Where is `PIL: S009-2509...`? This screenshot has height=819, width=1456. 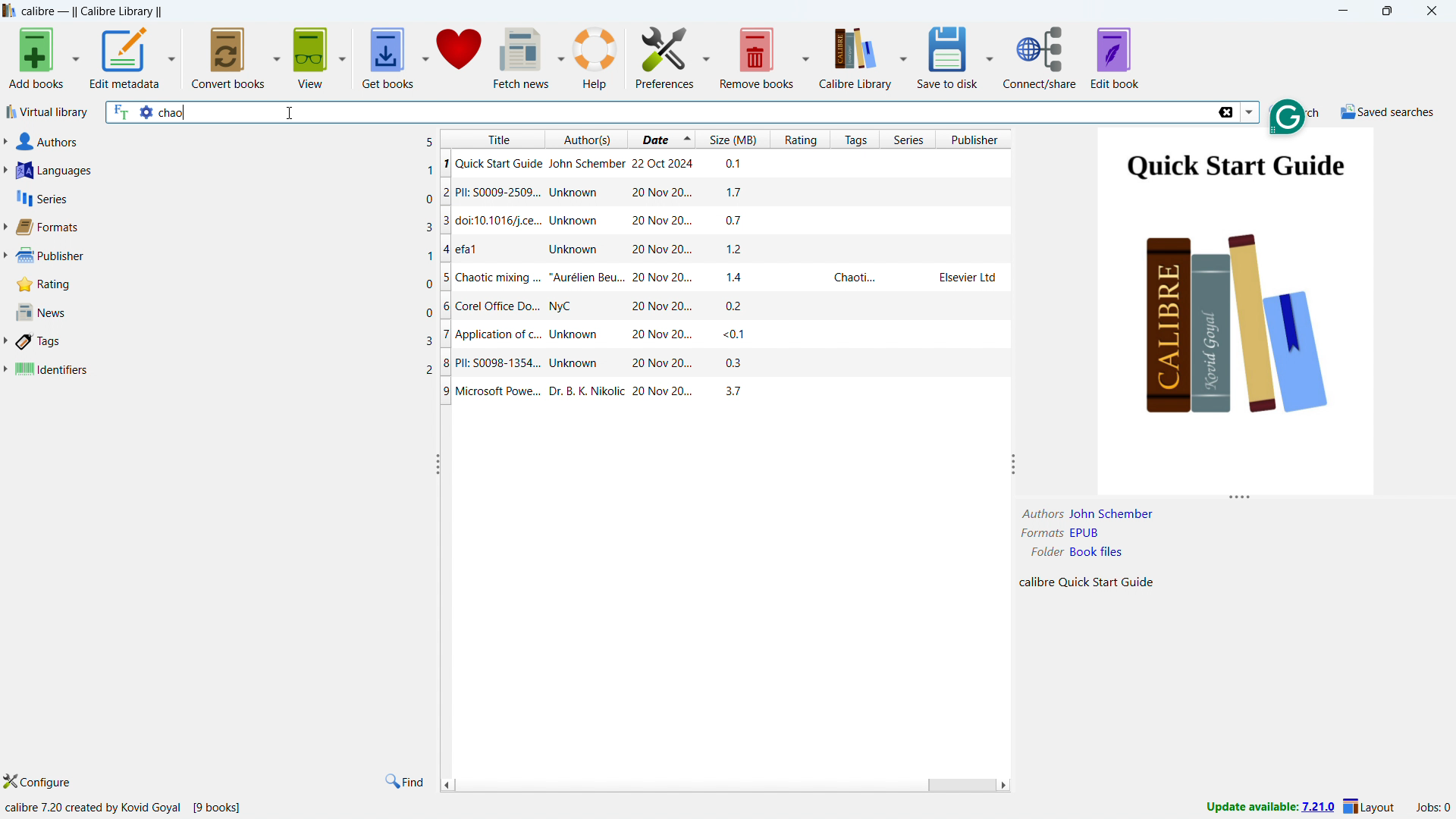 PIL: S009-2509... is located at coordinates (726, 193).